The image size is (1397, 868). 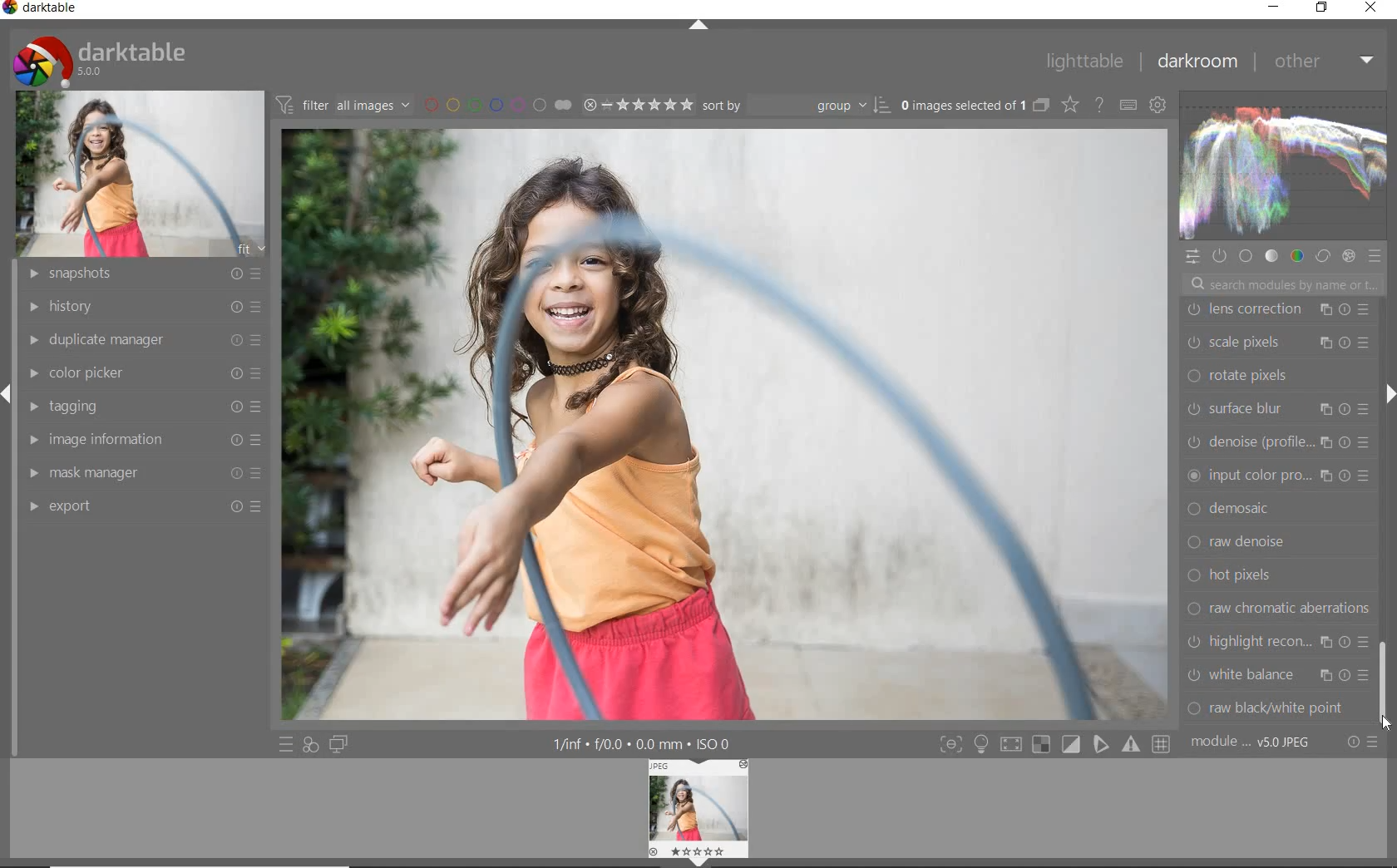 What do you see at coordinates (1322, 254) in the screenshot?
I see `correct` at bounding box center [1322, 254].